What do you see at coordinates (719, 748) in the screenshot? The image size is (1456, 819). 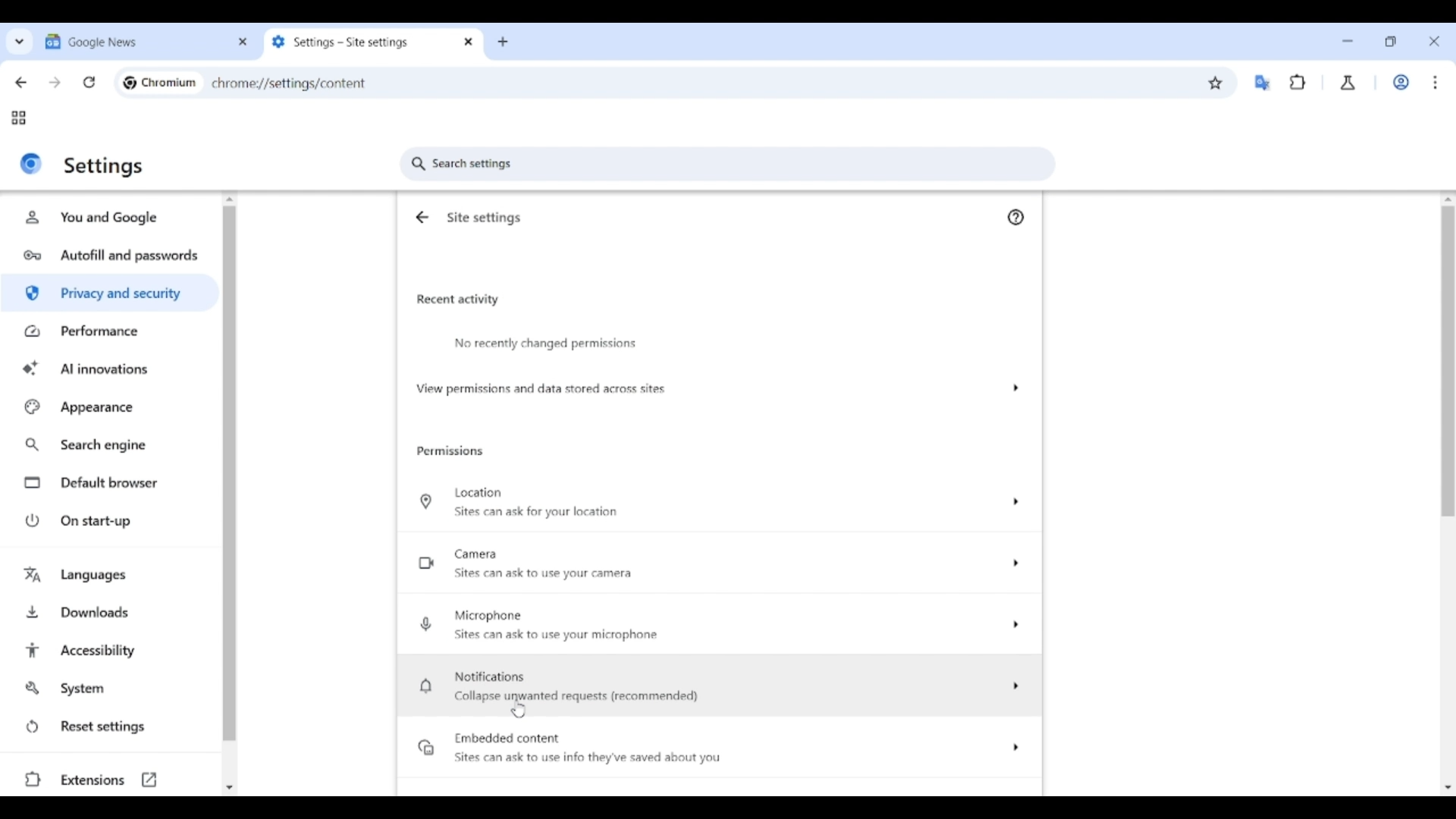 I see `Embedded content option` at bounding box center [719, 748].